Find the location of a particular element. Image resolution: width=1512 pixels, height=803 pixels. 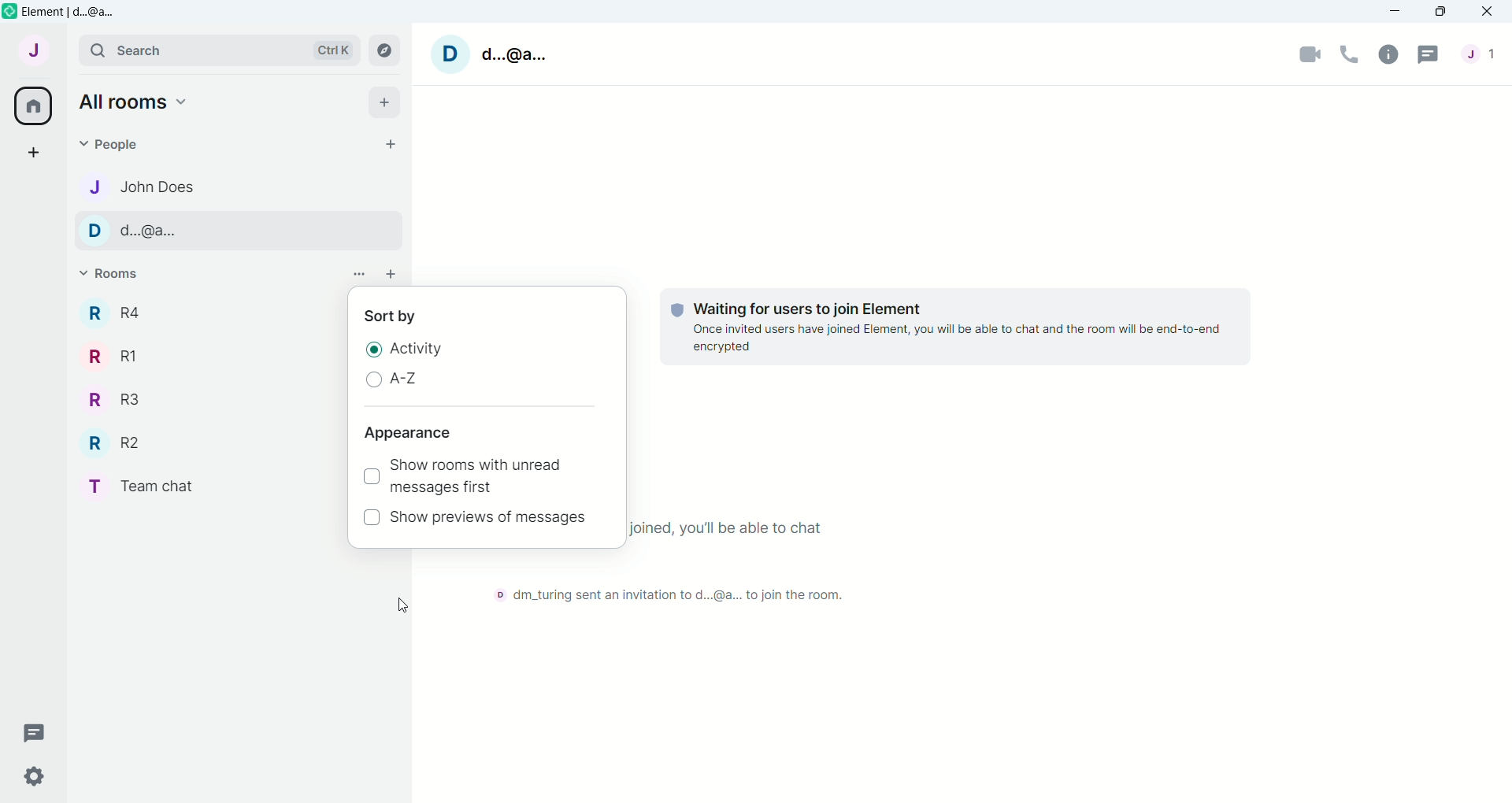

People is located at coordinates (1484, 54).